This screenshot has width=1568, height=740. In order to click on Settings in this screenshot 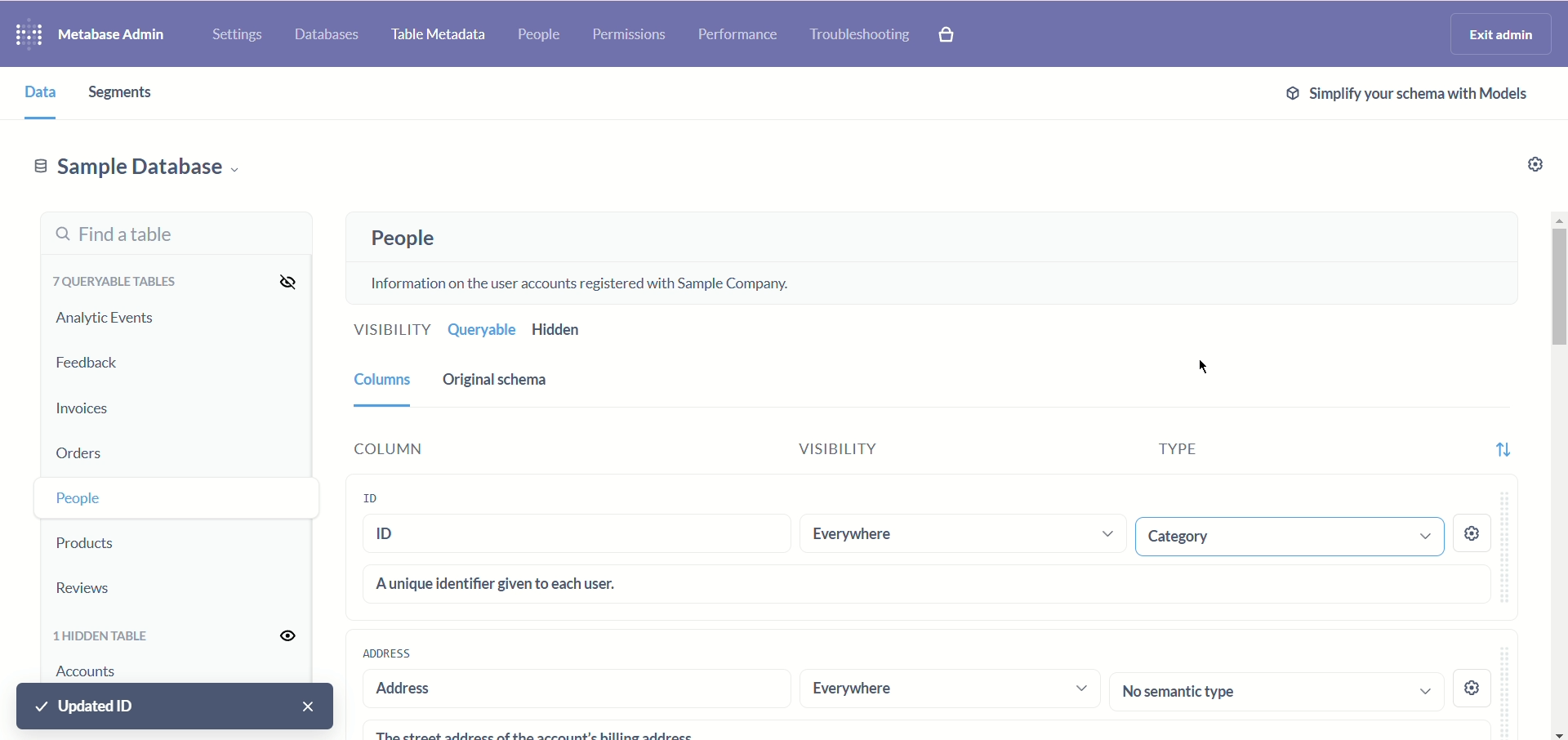, I will do `click(234, 31)`.